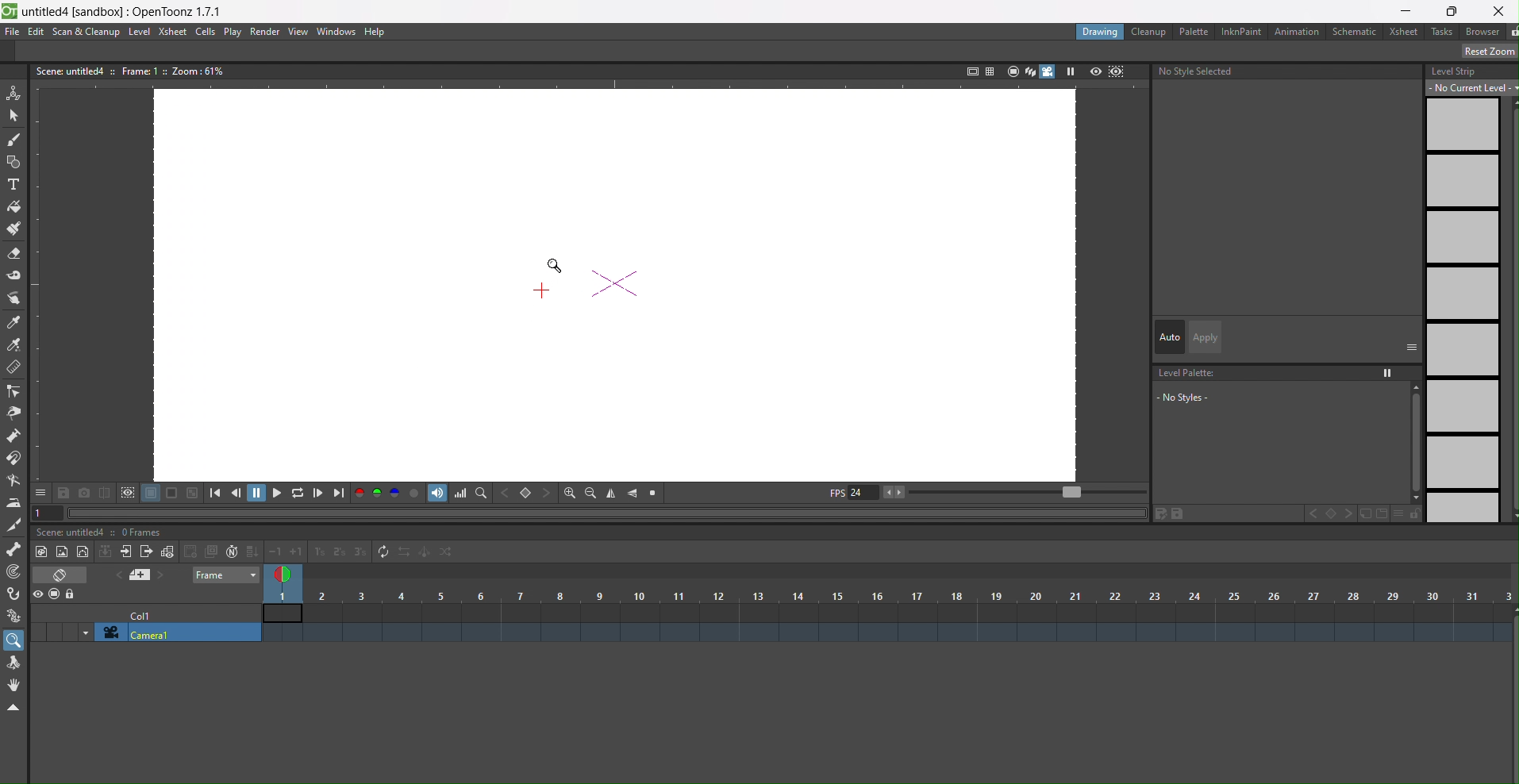  I want to click on frame selector, so click(285, 575).